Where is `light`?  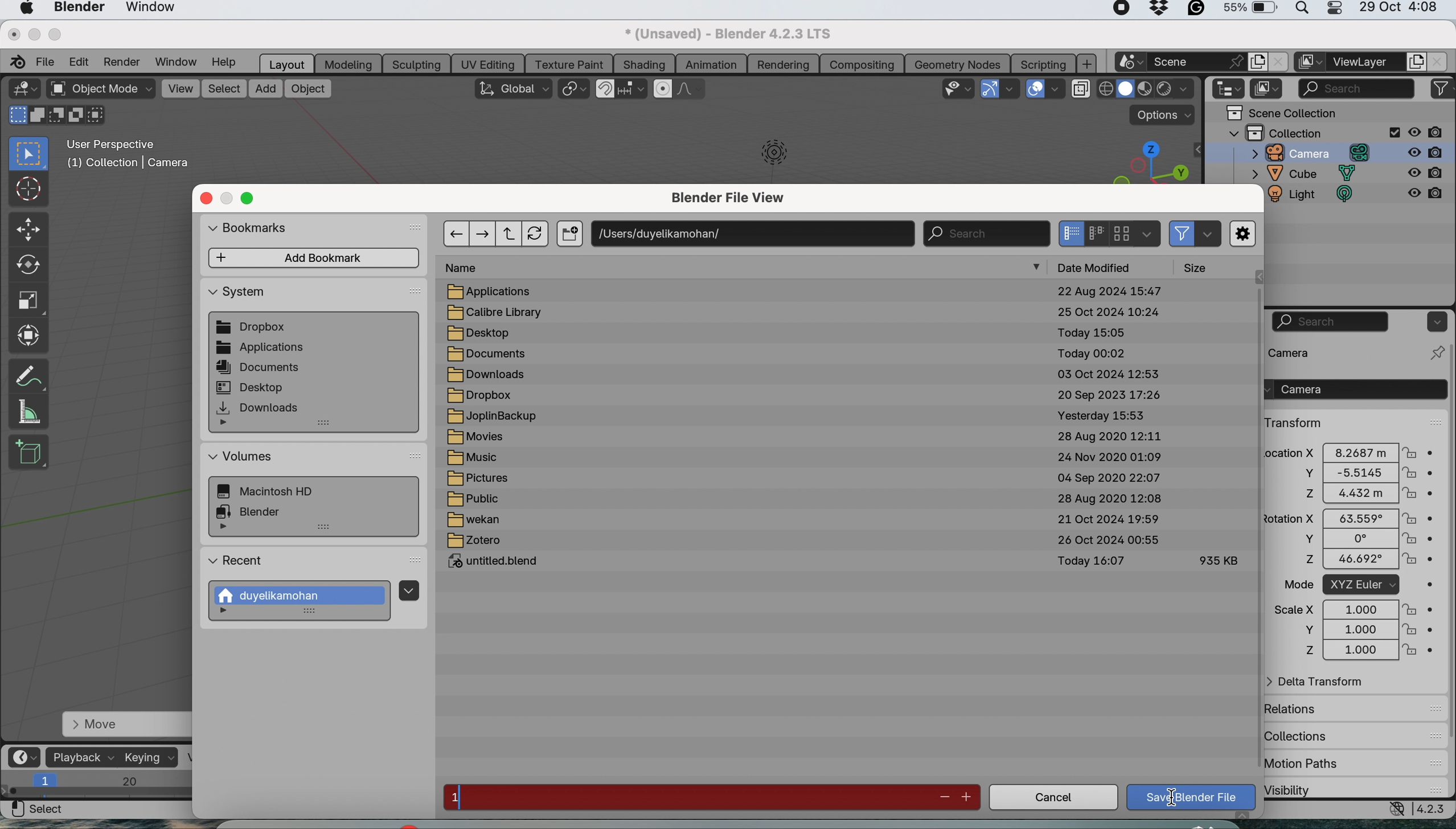 light is located at coordinates (1318, 196).